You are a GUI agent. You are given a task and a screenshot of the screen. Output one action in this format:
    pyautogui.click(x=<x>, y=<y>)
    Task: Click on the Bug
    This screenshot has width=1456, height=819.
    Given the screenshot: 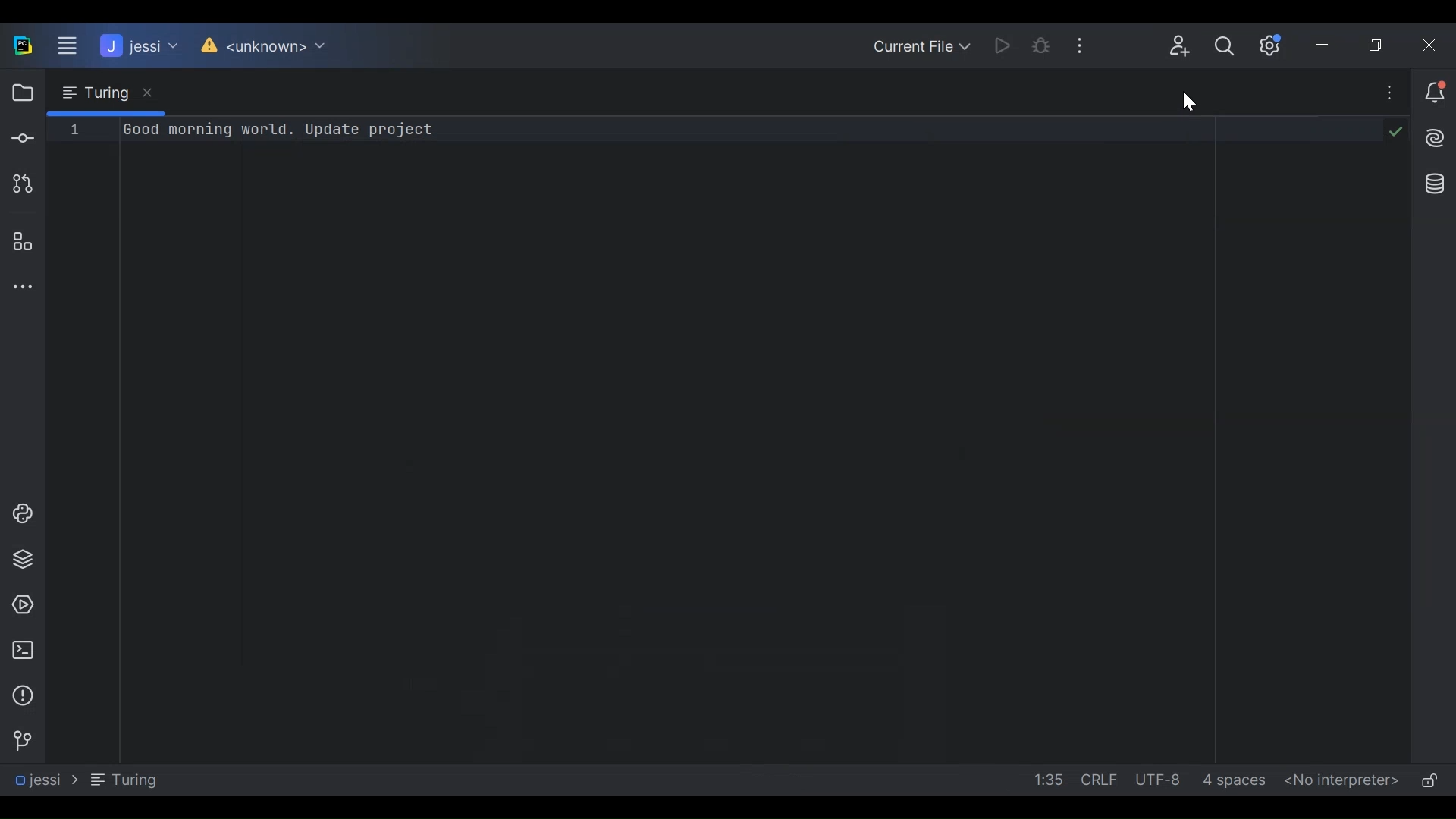 What is the action you would take?
    pyautogui.click(x=1040, y=43)
    